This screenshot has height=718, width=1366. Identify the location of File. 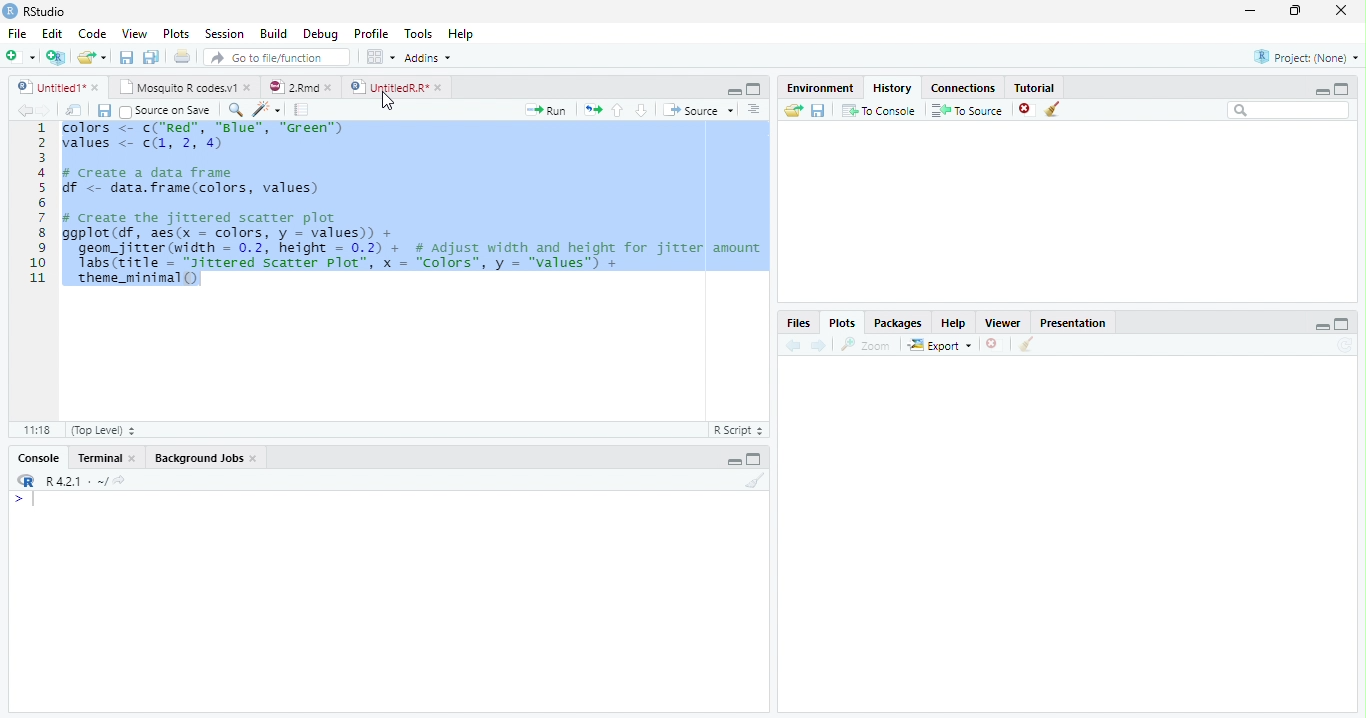
(18, 34).